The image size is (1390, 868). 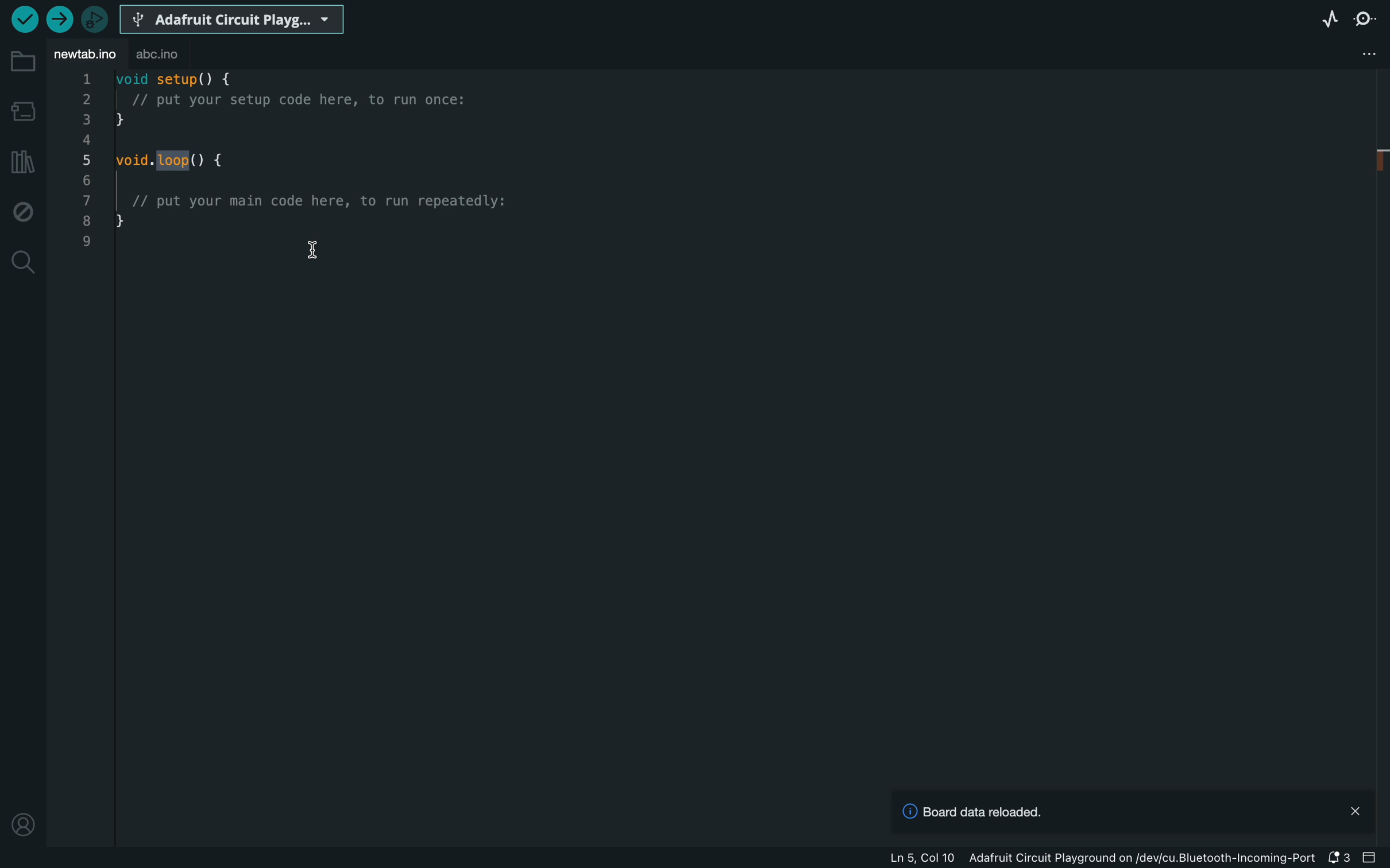 I want to click on 2, so click(x=84, y=99).